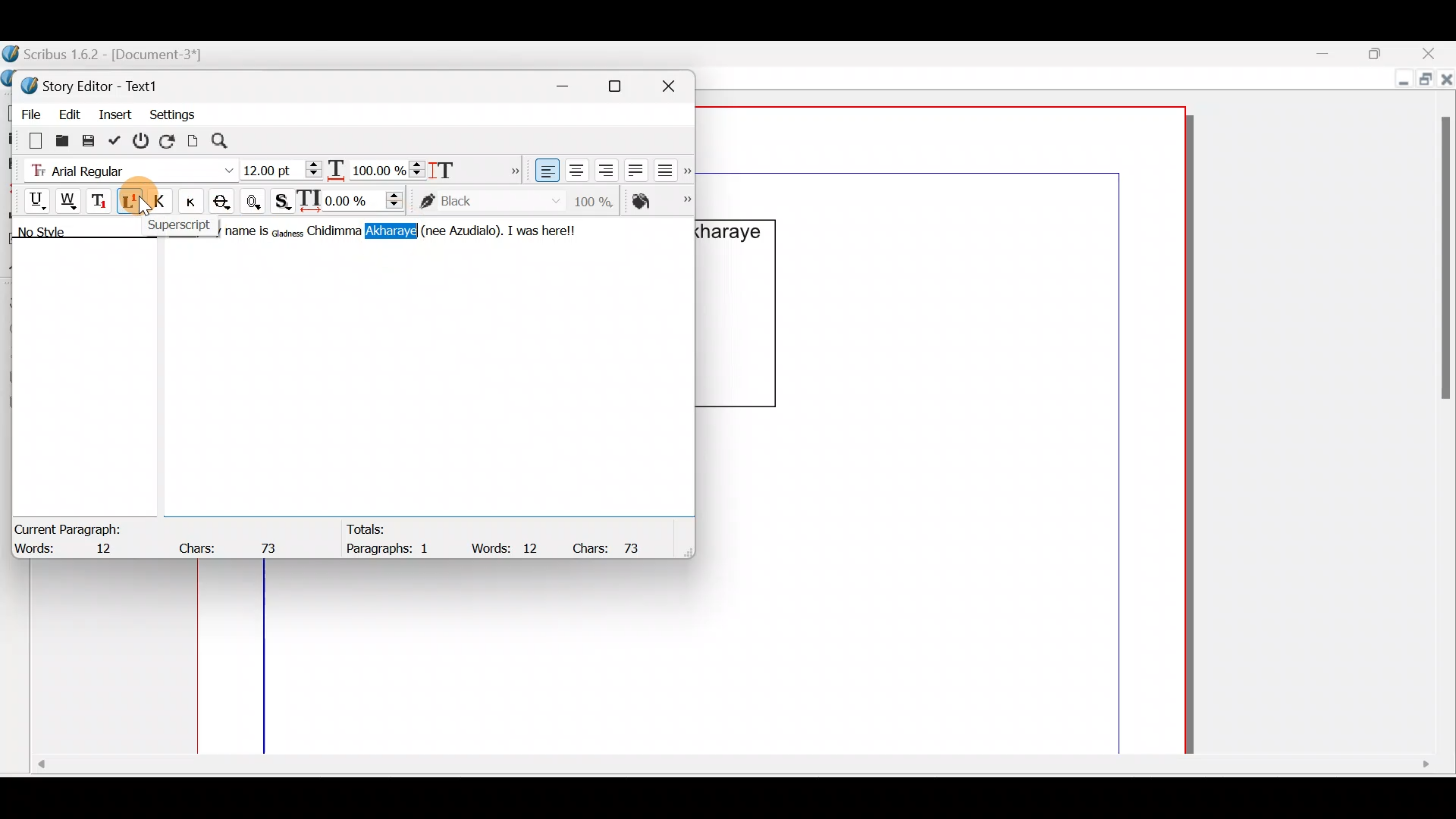  I want to click on Chidimma, so click(336, 231).